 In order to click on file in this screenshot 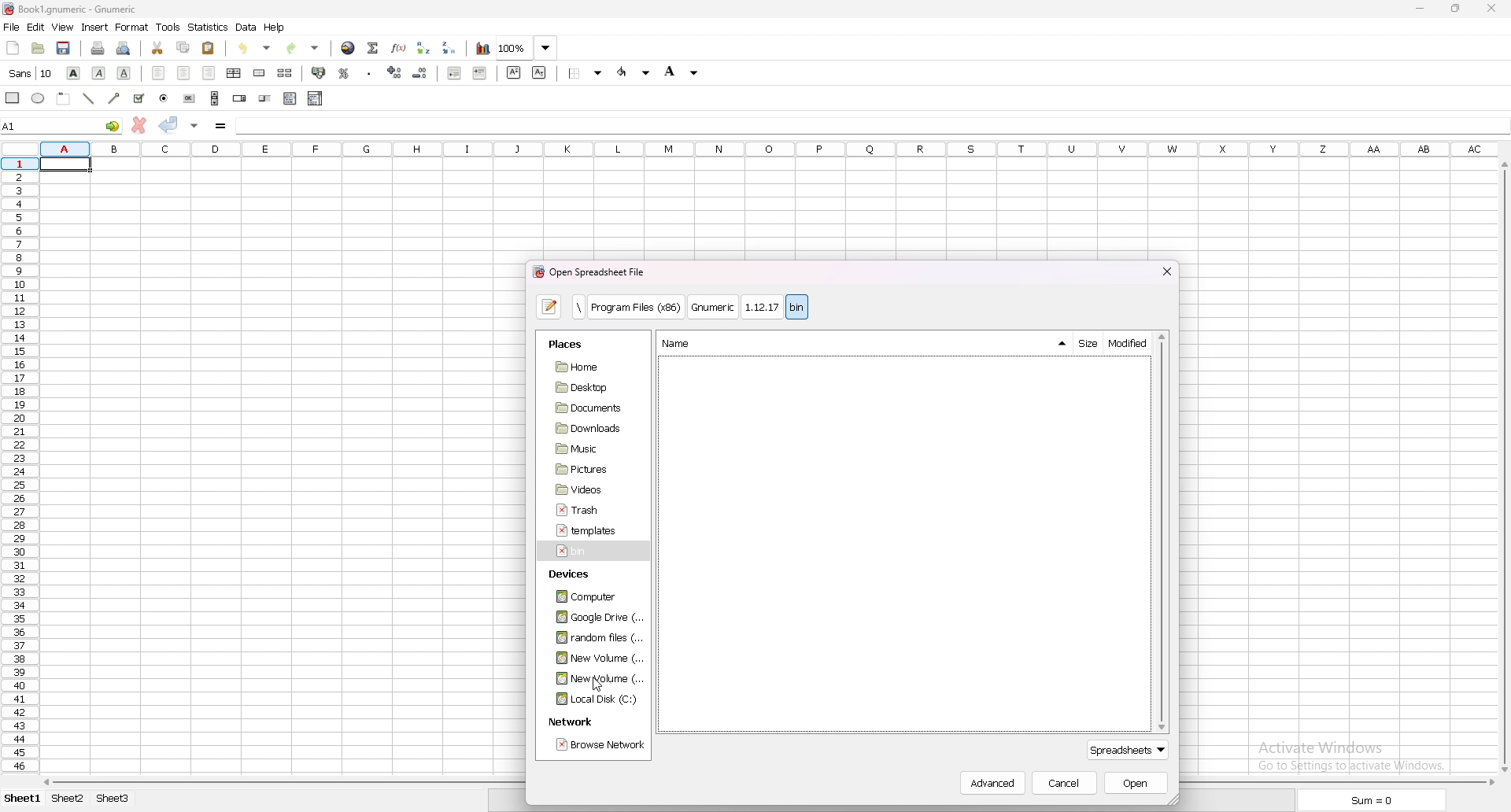, I will do `click(11, 27)`.